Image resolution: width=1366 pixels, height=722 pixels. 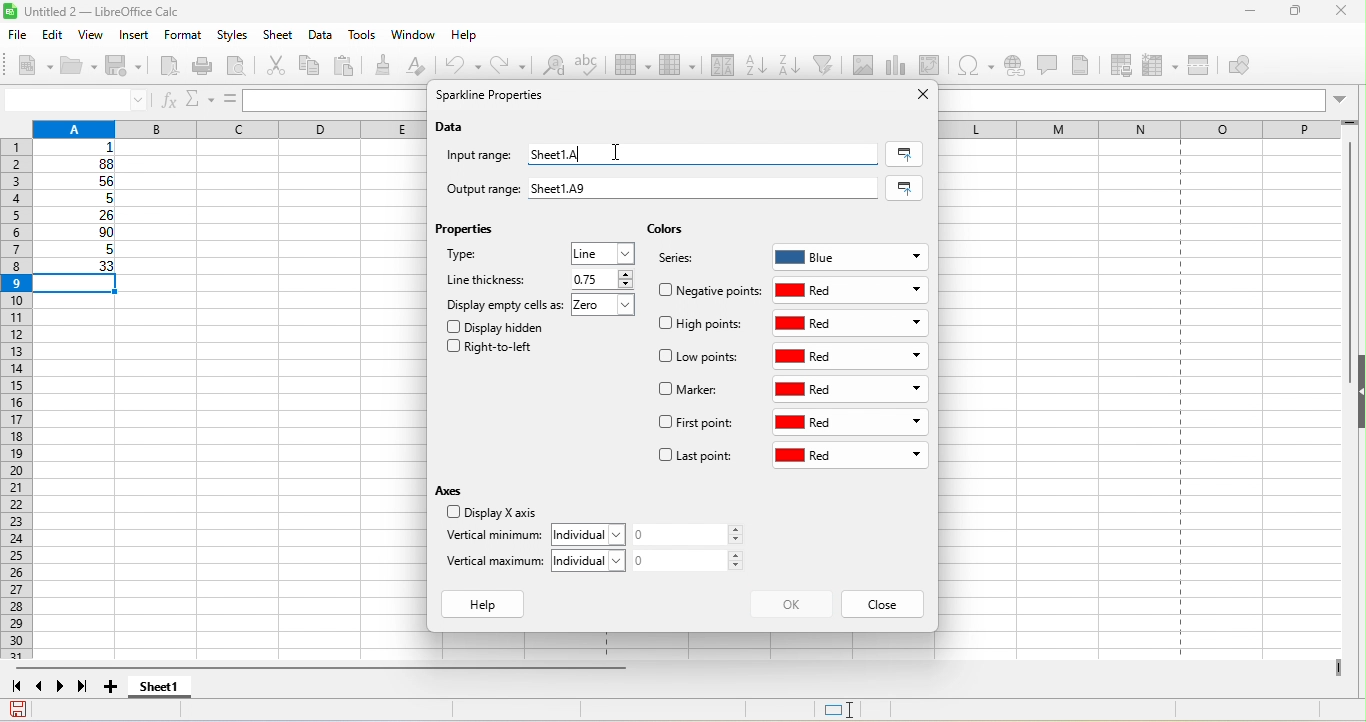 I want to click on untitled 2-libre office calc, so click(x=163, y=12).